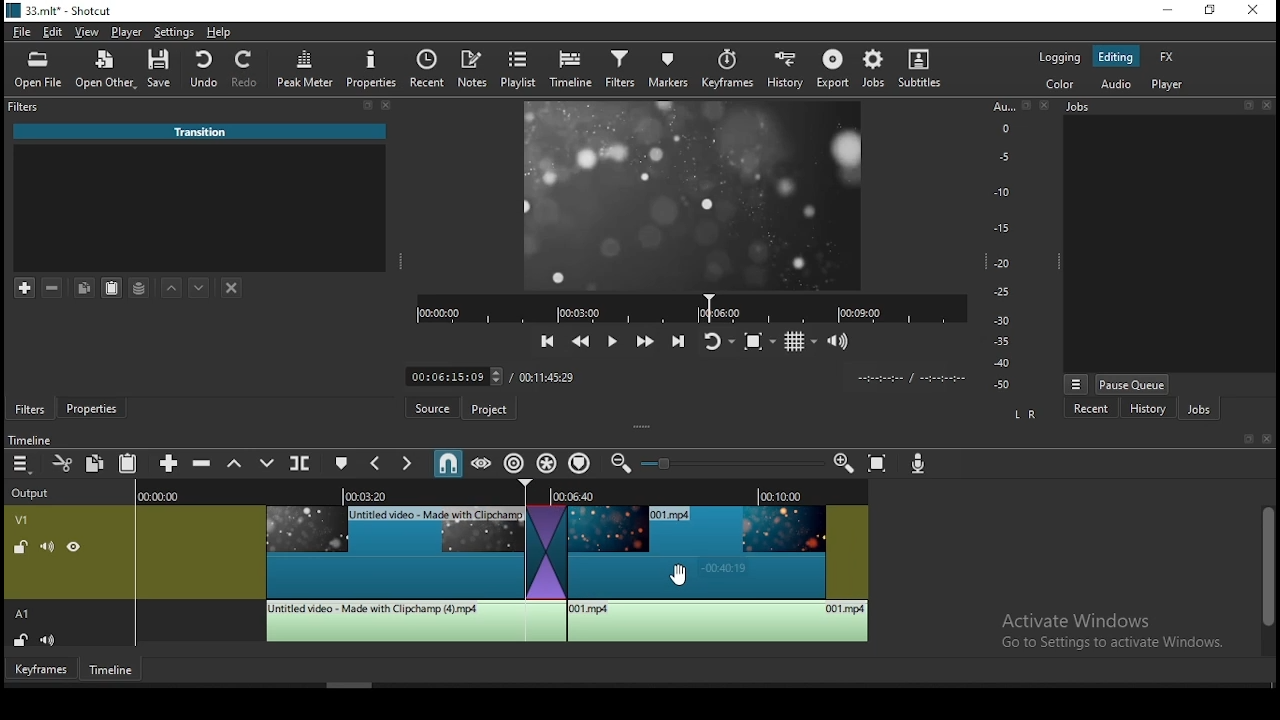  What do you see at coordinates (23, 640) in the screenshot?
I see `(un)lock` at bounding box center [23, 640].